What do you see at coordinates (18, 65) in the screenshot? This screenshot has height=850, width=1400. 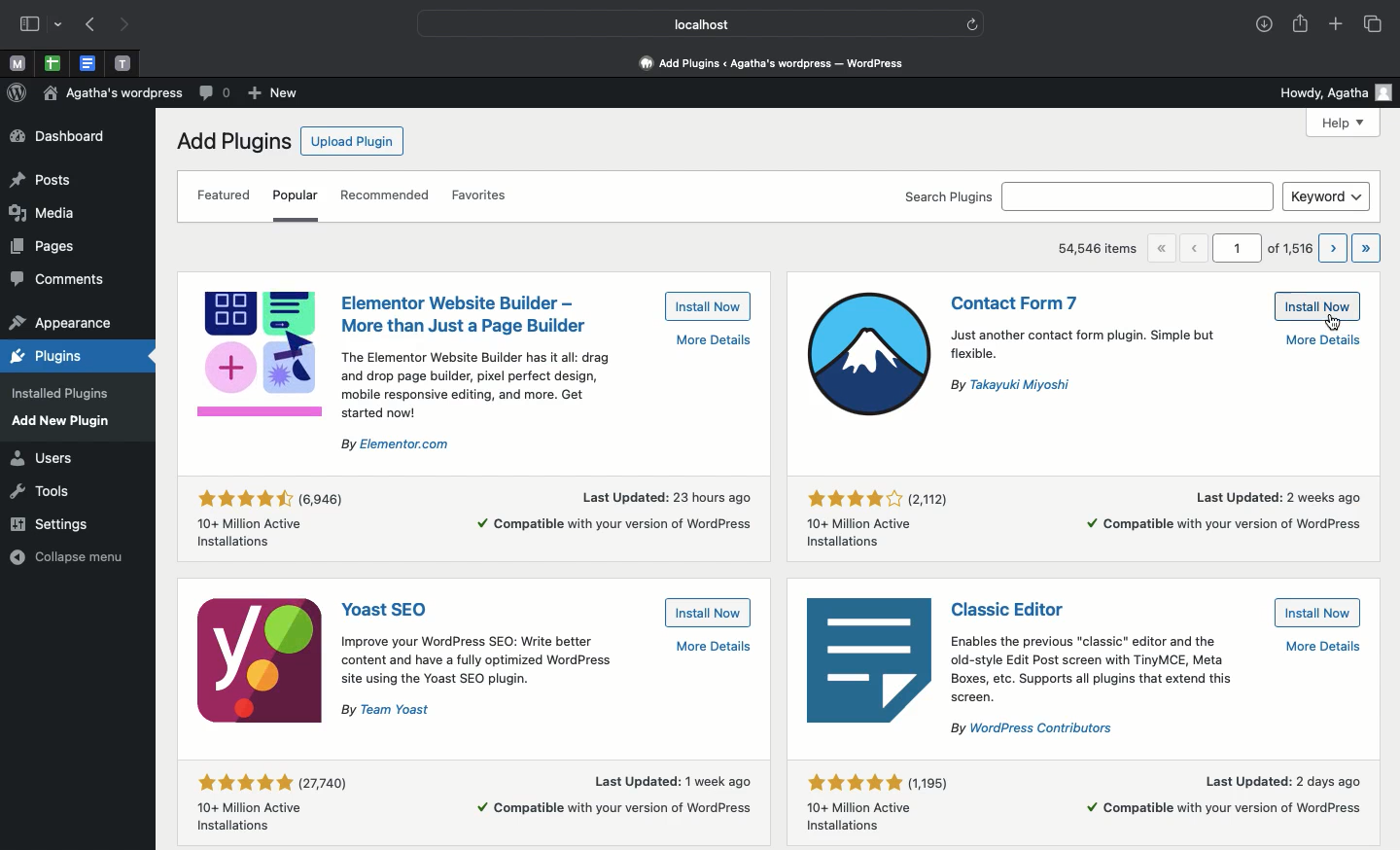 I see `Pinned tabs` at bounding box center [18, 65].